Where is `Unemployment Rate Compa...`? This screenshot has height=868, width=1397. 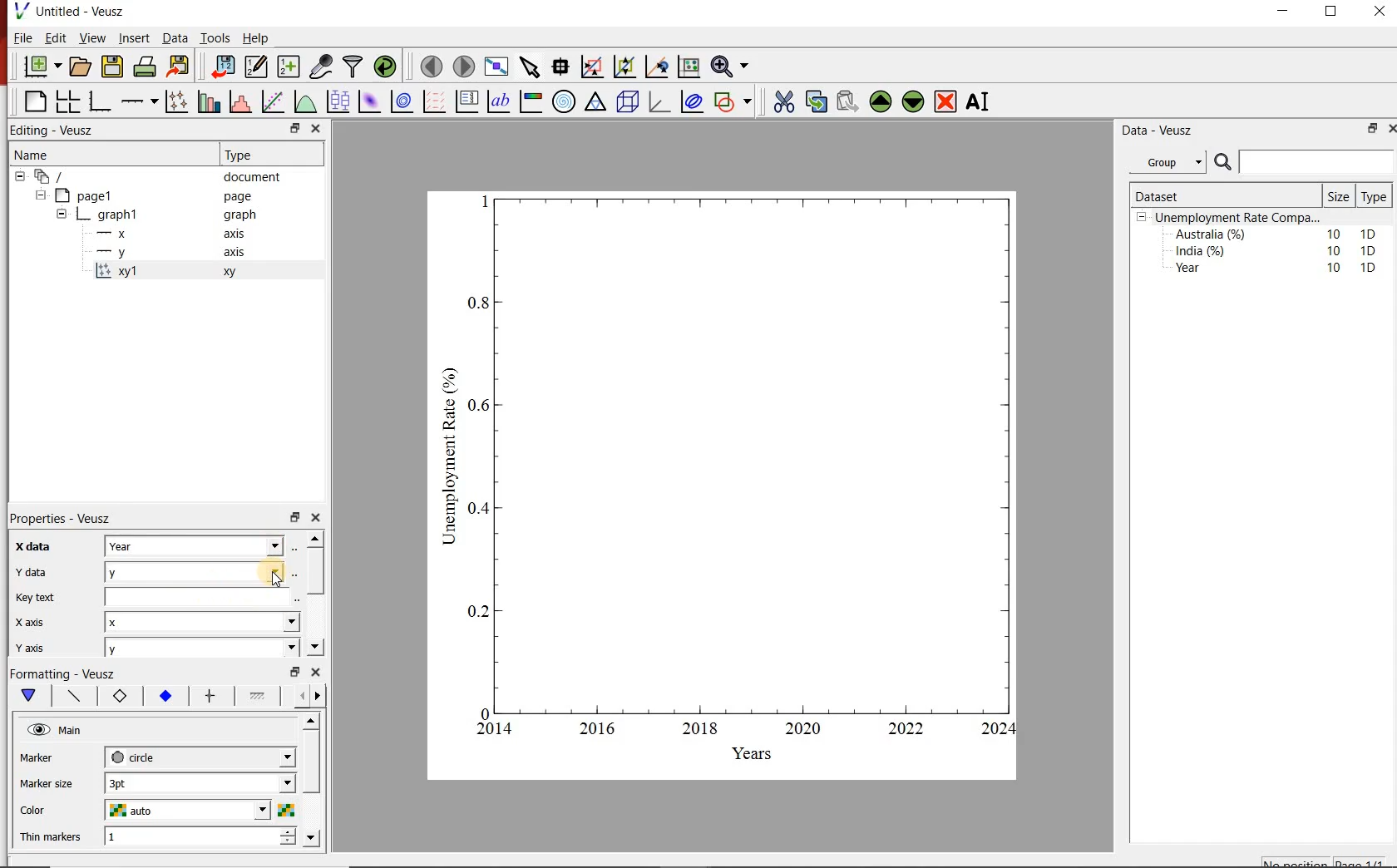
Unemployment Rate Compa... is located at coordinates (1239, 218).